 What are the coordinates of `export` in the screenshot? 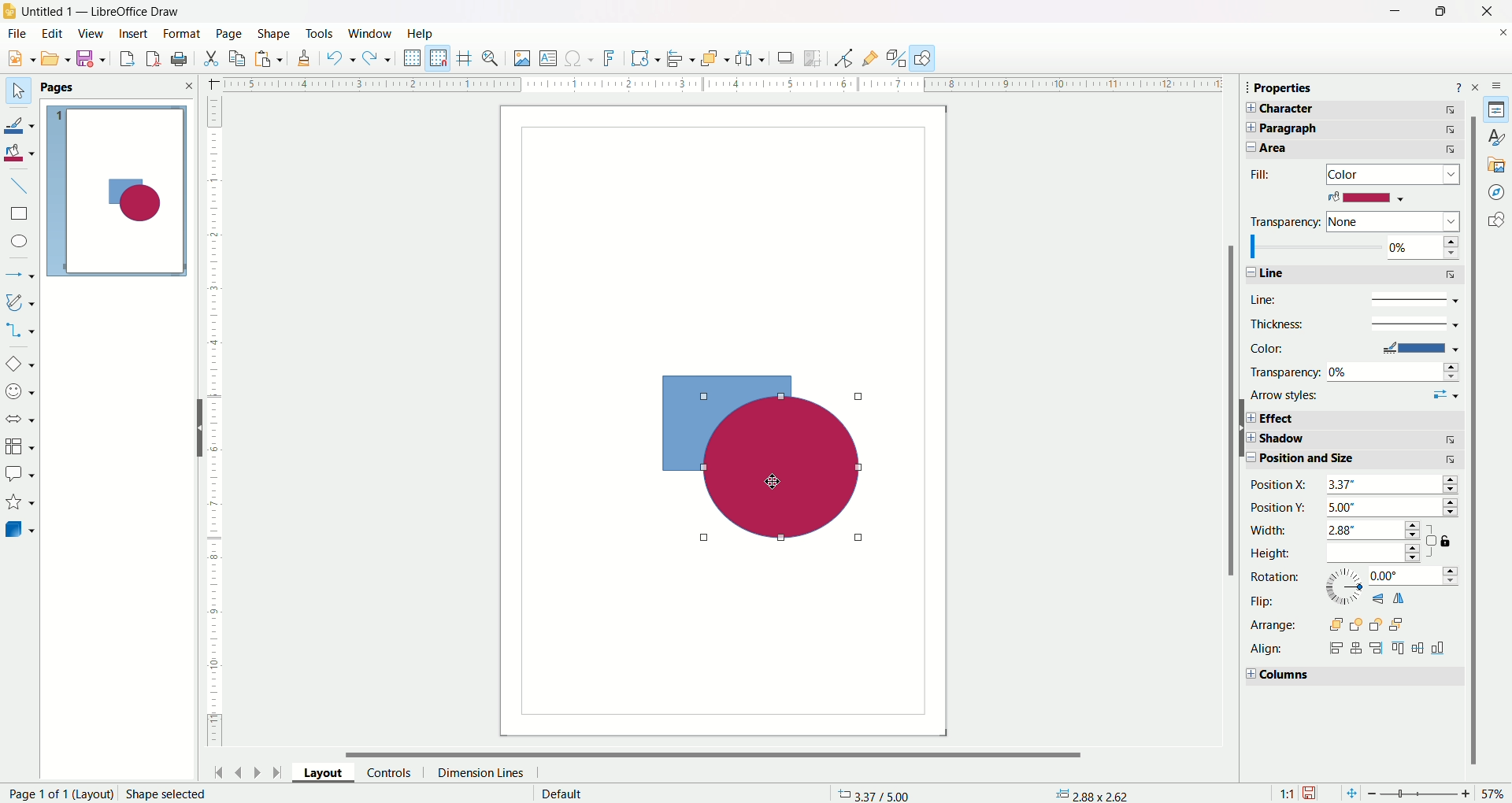 It's located at (122, 60).